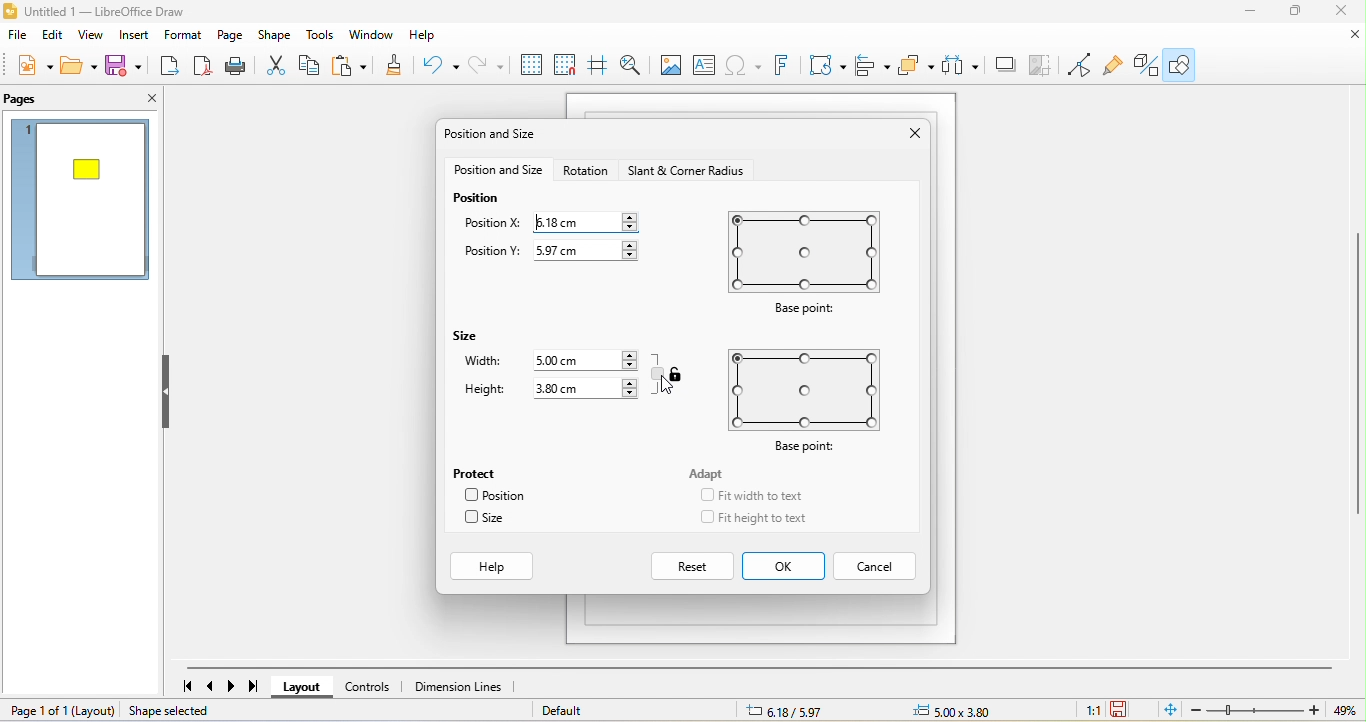  What do you see at coordinates (181, 712) in the screenshot?
I see `shape selected` at bounding box center [181, 712].